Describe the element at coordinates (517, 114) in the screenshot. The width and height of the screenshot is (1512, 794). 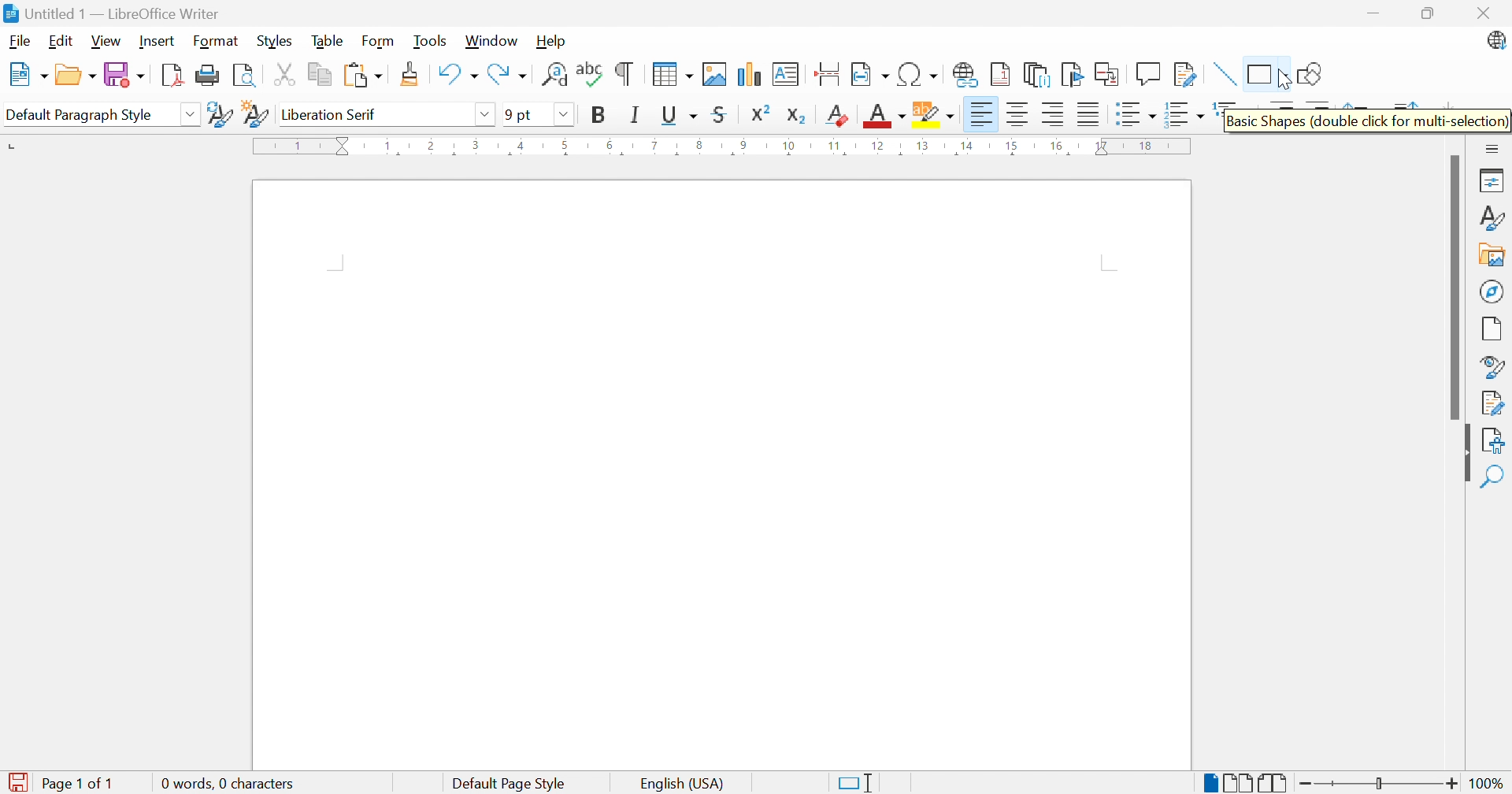
I see `Font size` at that location.